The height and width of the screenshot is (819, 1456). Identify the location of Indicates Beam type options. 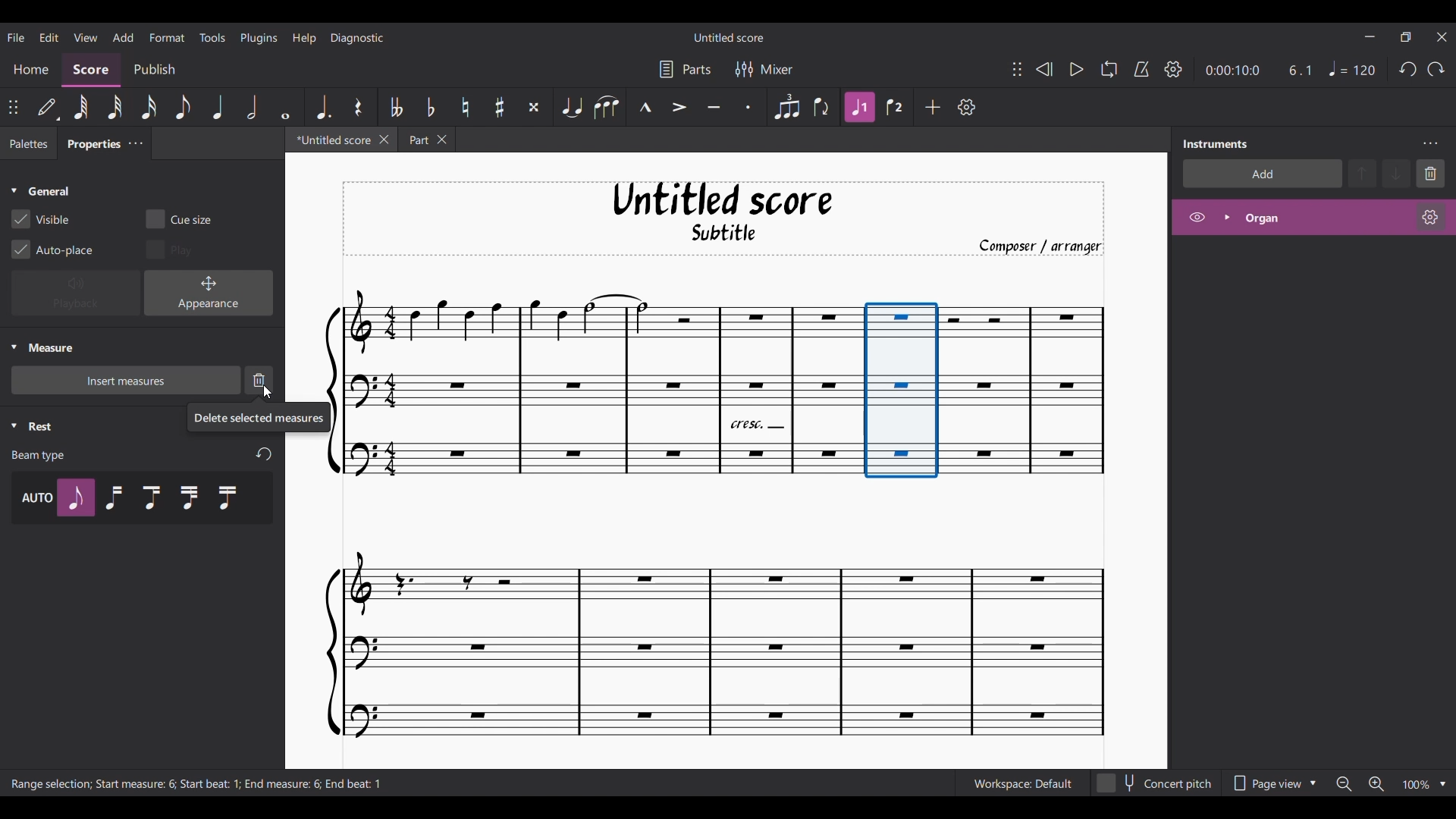
(38, 456).